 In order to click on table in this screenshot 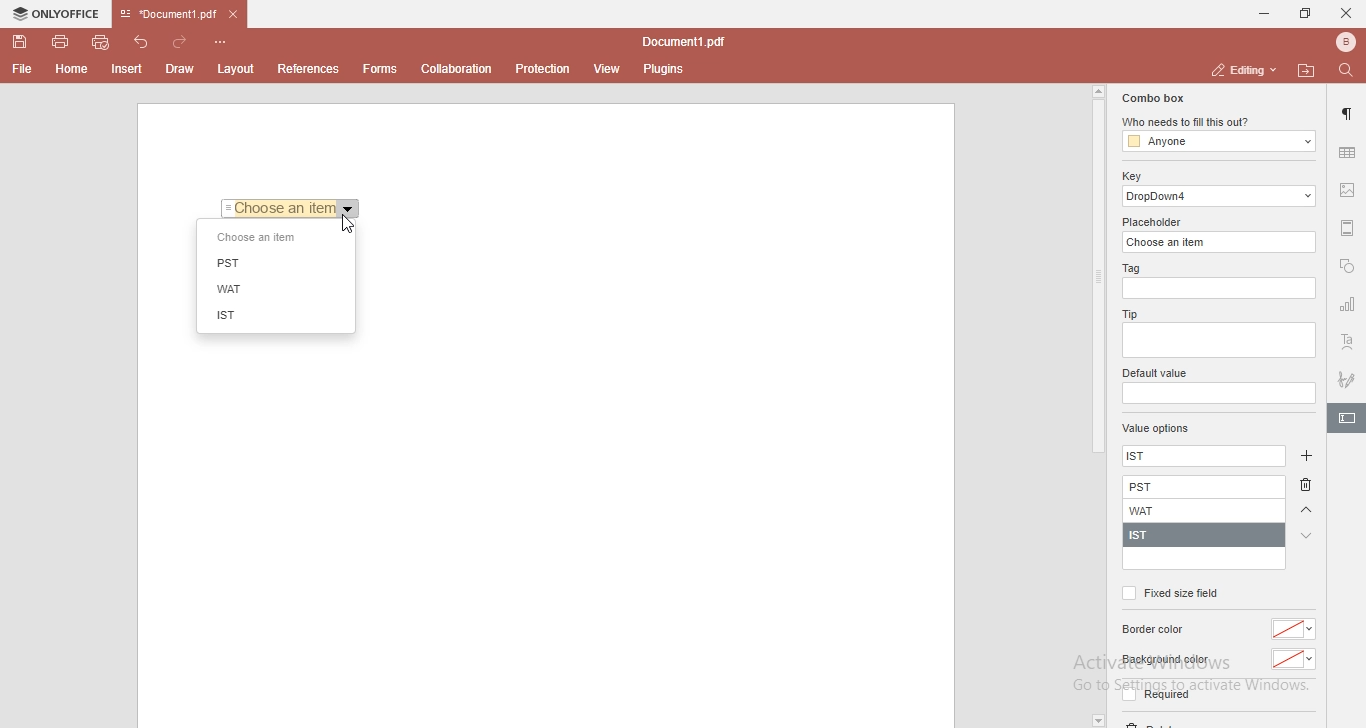, I will do `click(1347, 152)`.